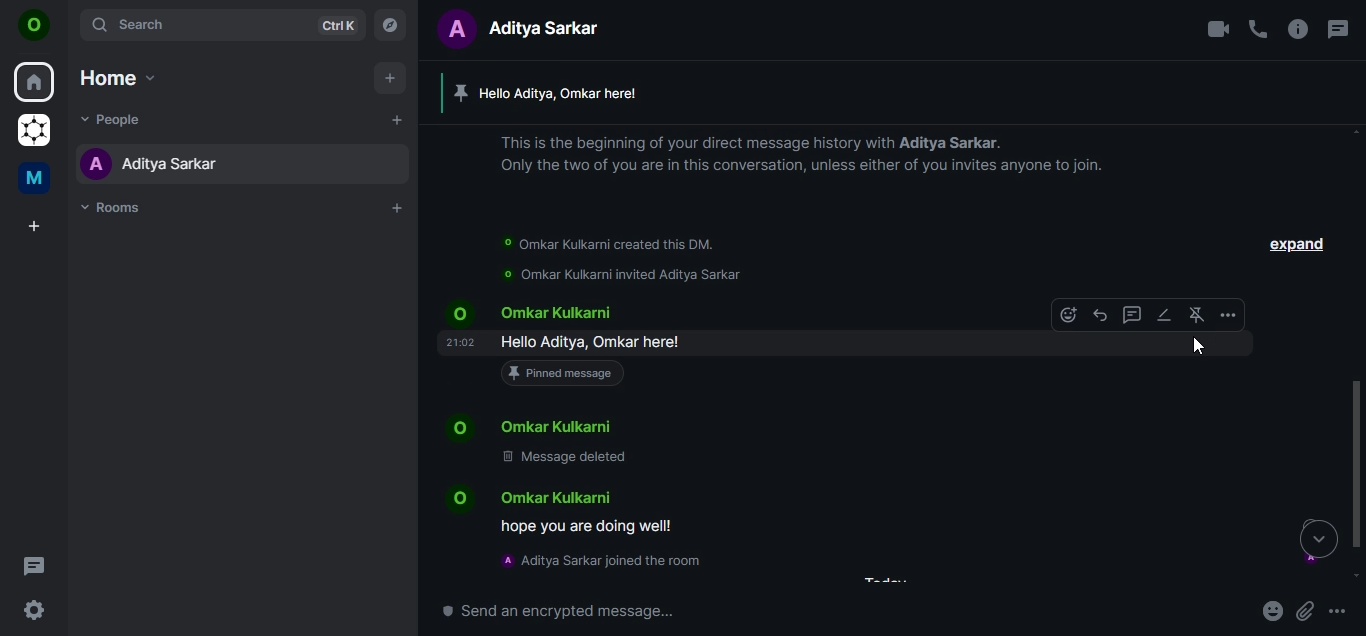  What do you see at coordinates (1101, 314) in the screenshot?
I see `reply` at bounding box center [1101, 314].